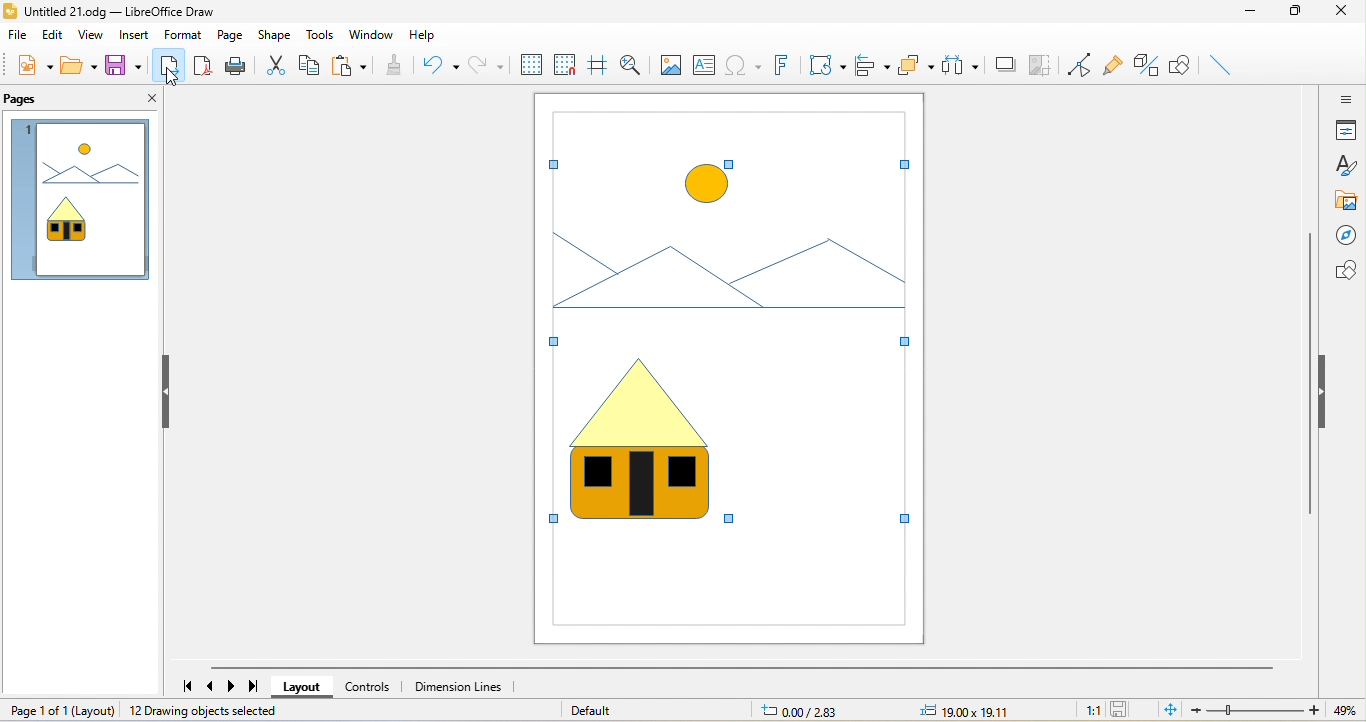  I want to click on help, so click(437, 35).